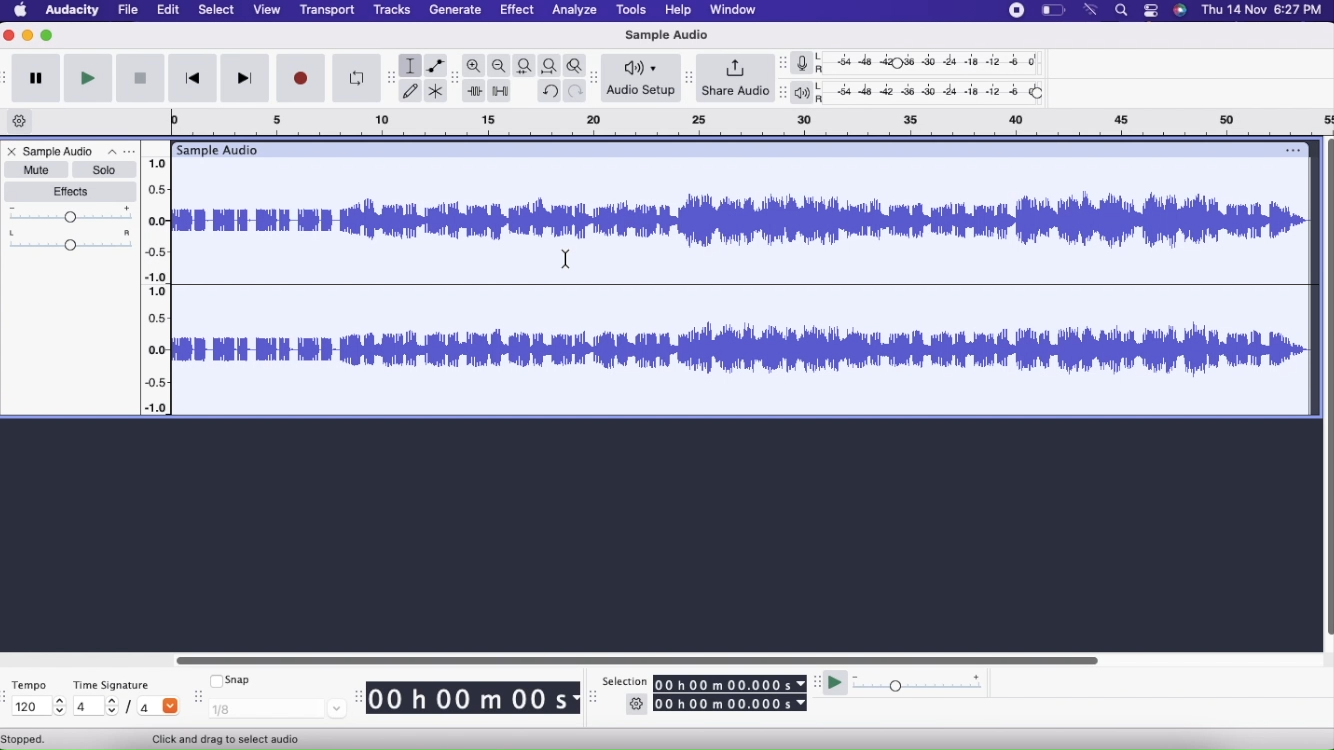 Image resolution: width=1334 pixels, height=750 pixels. Describe the element at coordinates (234, 681) in the screenshot. I see `Snap` at that location.